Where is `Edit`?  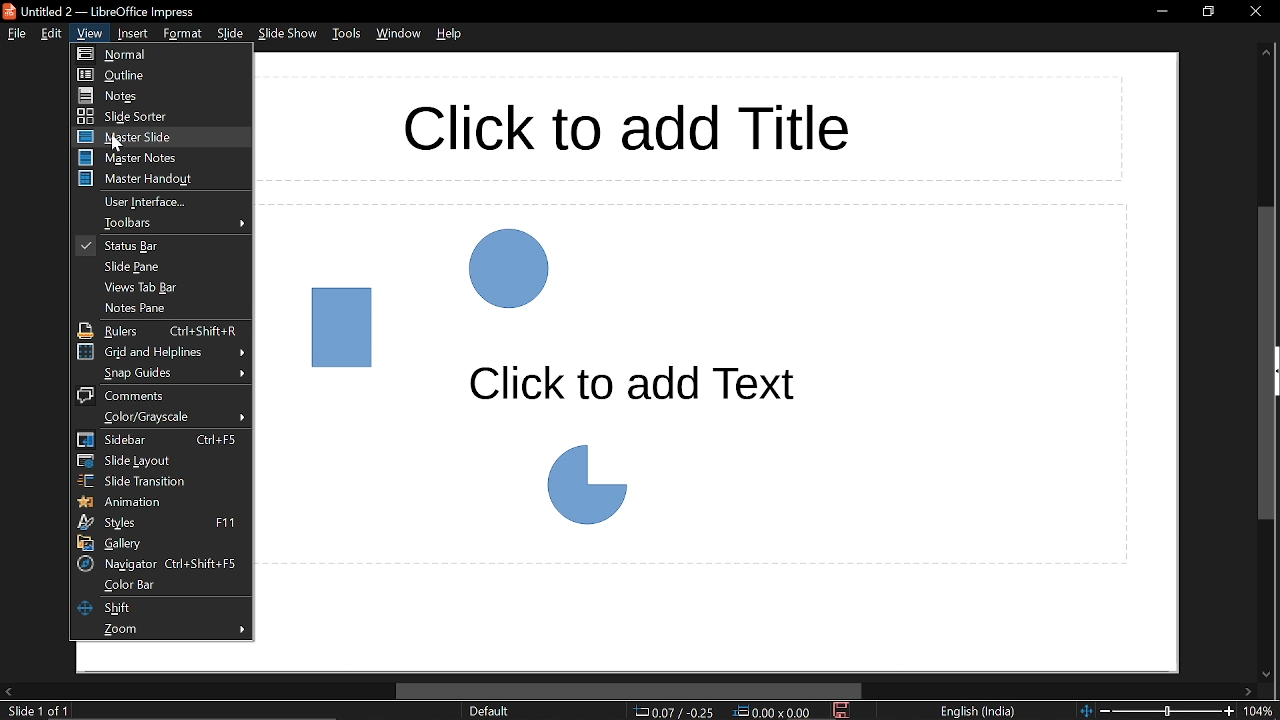 Edit is located at coordinates (52, 34).